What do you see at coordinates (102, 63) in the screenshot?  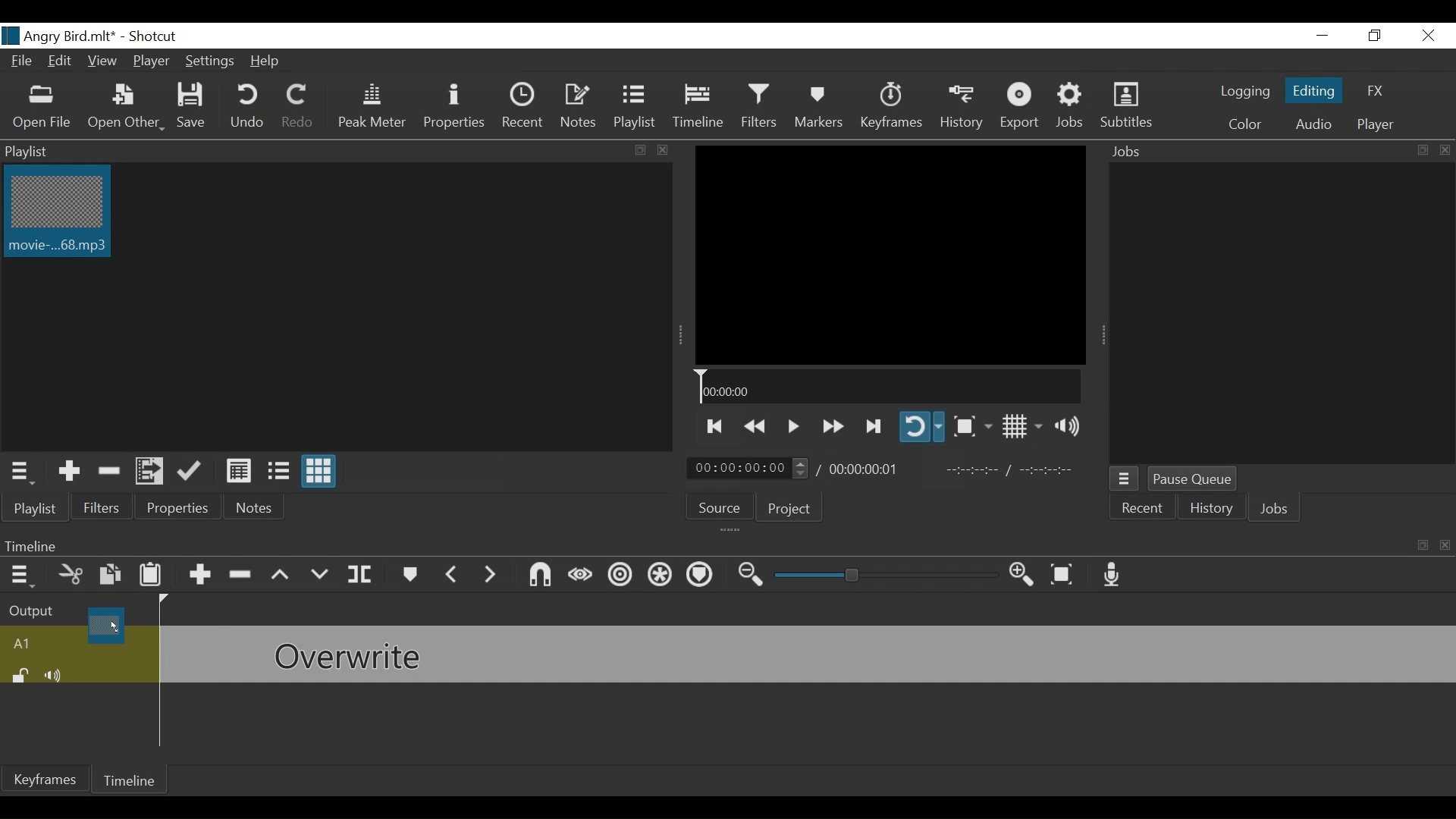 I see `View` at bounding box center [102, 63].